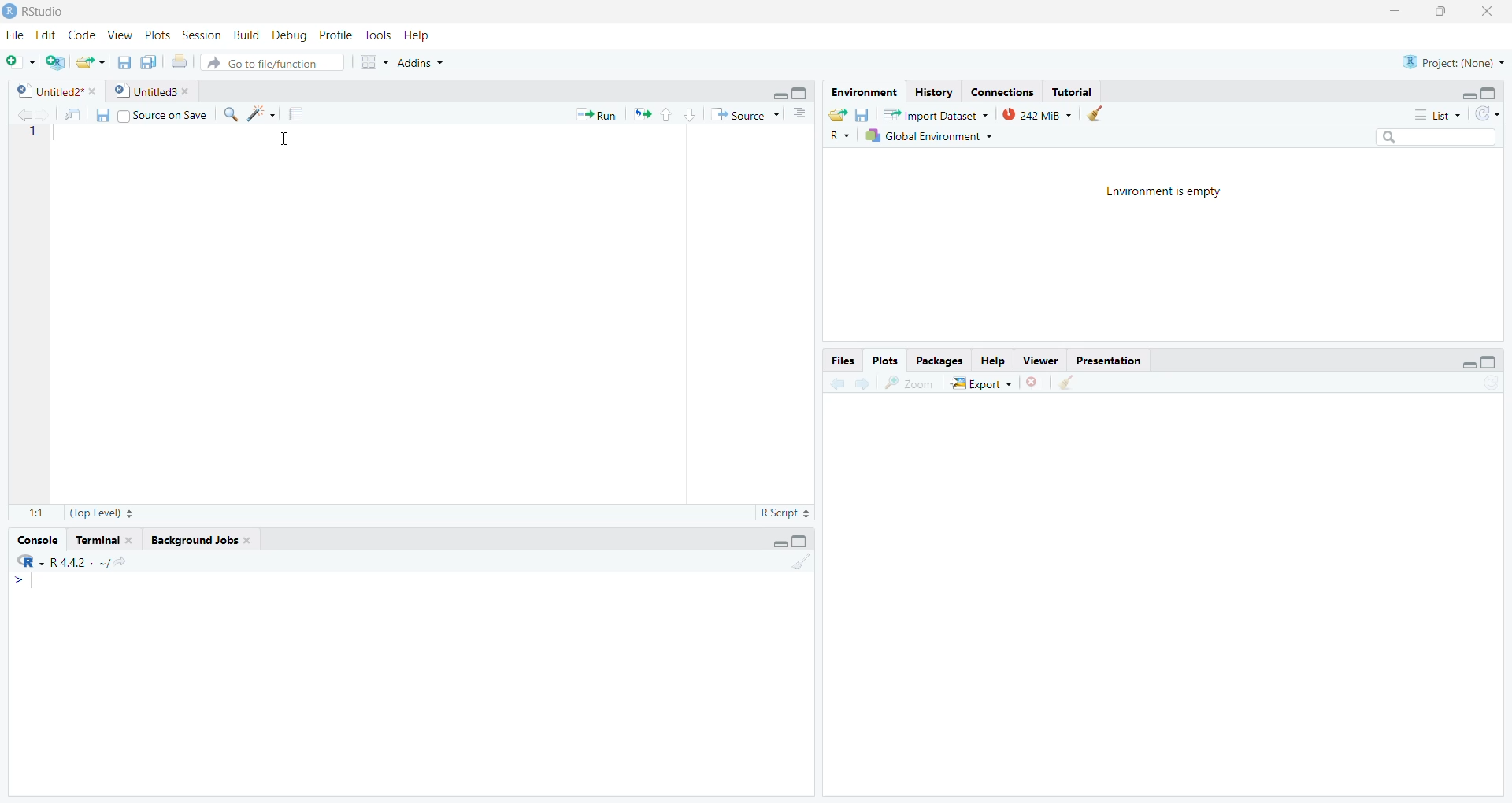 This screenshot has width=1512, height=803. What do you see at coordinates (933, 93) in the screenshot?
I see `History` at bounding box center [933, 93].